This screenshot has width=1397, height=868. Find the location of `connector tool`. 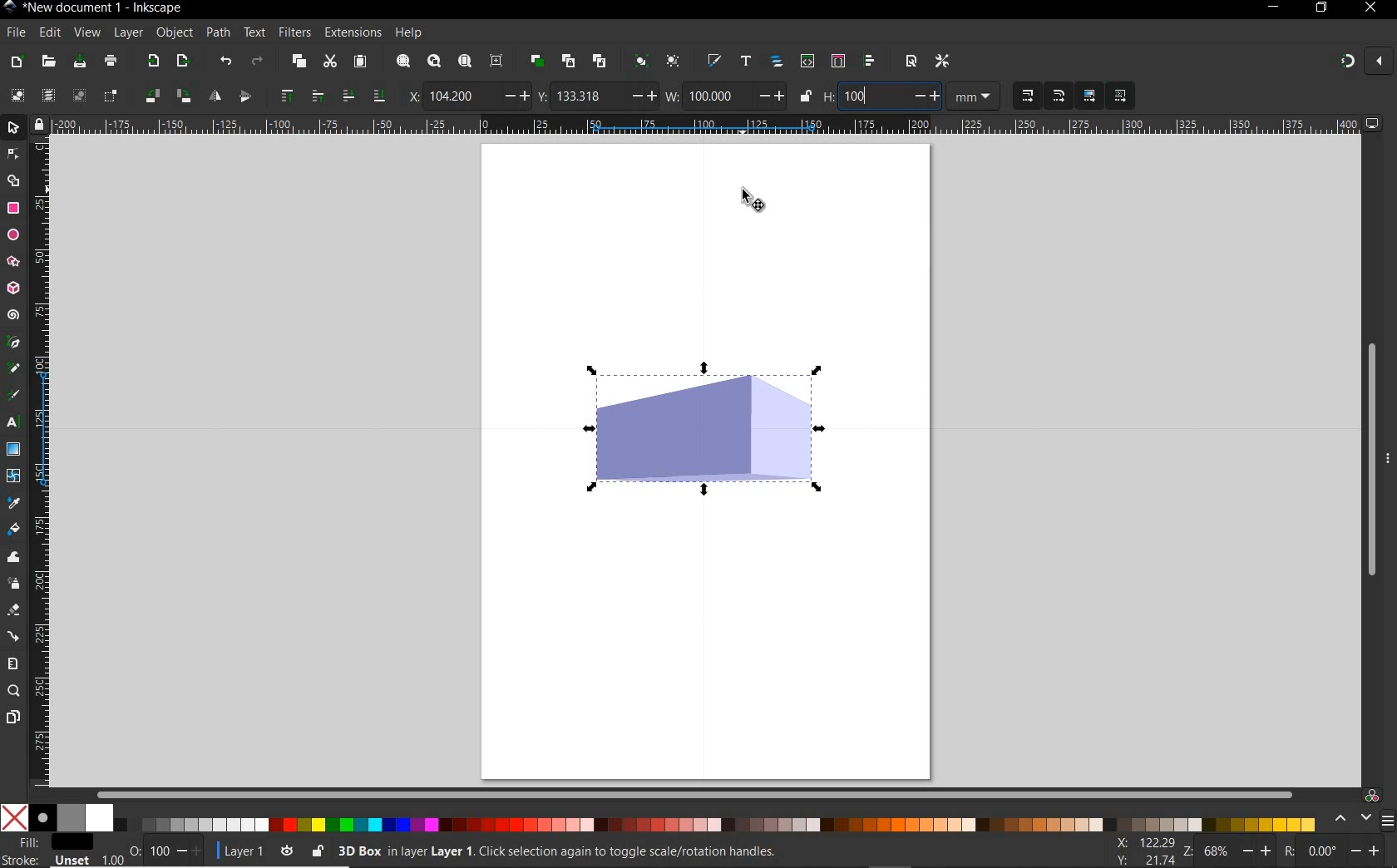

connector tool is located at coordinates (15, 637).